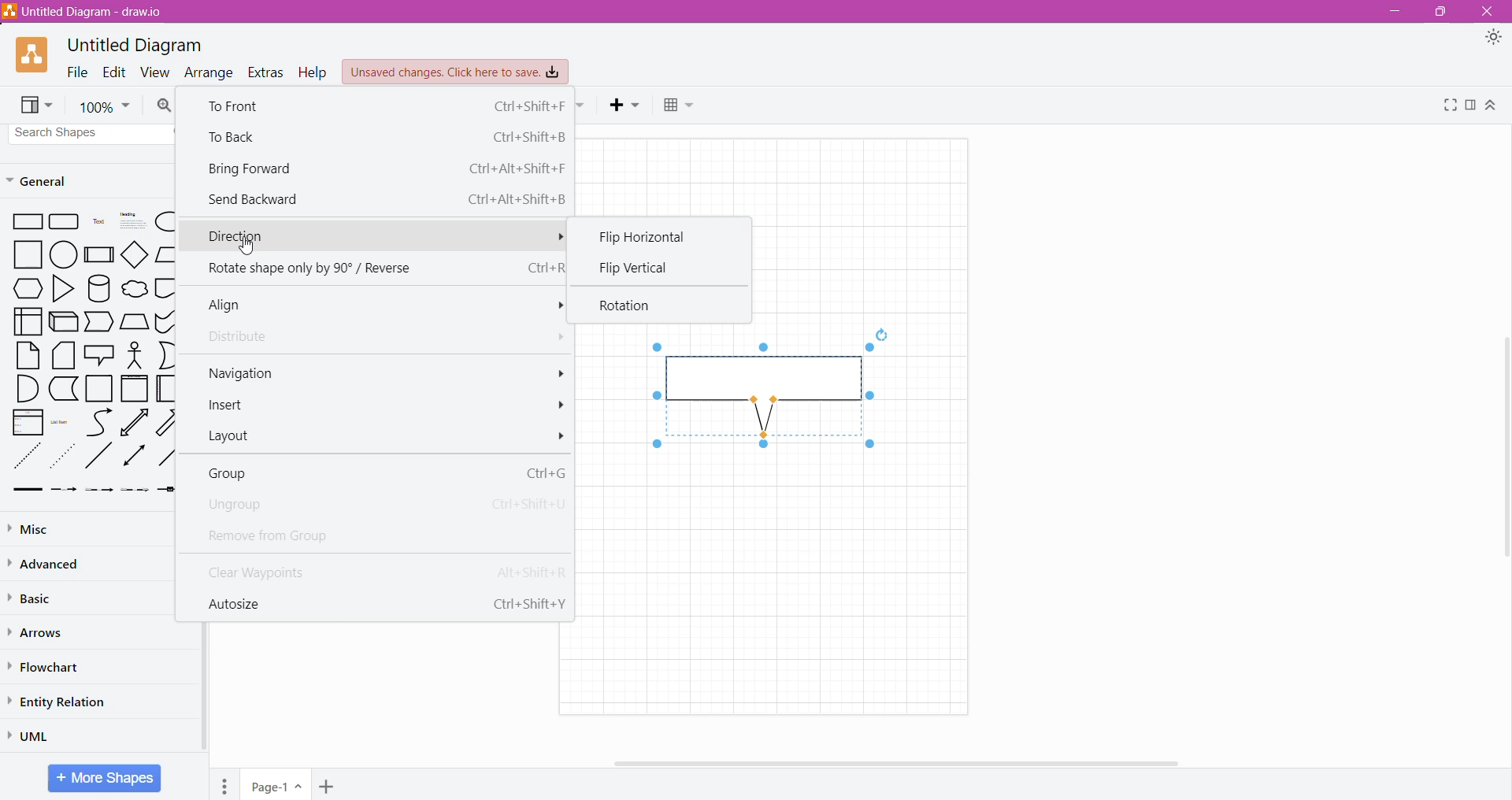 The height and width of the screenshot is (800, 1512). I want to click on UM, so click(34, 735).